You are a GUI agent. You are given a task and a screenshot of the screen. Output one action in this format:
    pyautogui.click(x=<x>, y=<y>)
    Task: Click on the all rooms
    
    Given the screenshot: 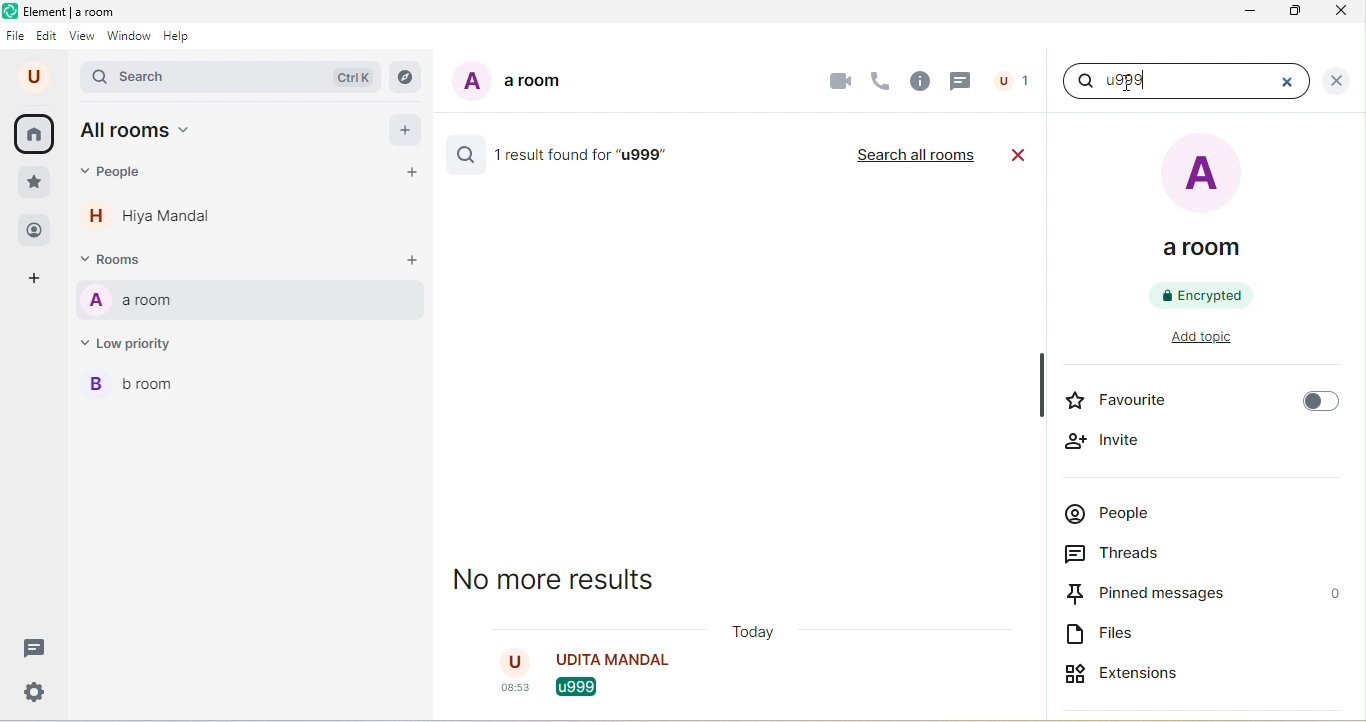 What is the action you would take?
    pyautogui.click(x=141, y=133)
    